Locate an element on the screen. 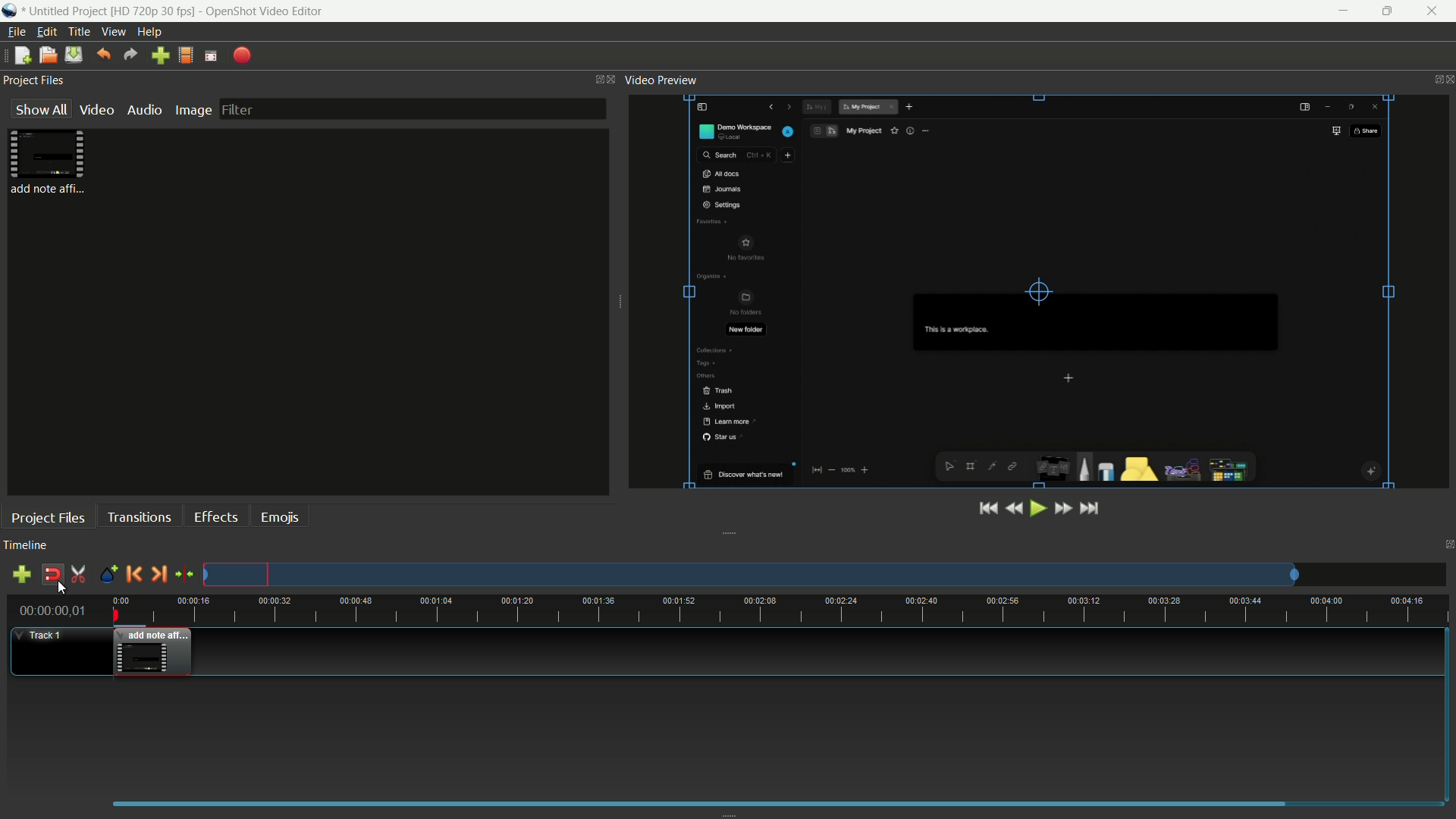 The image size is (1456, 819). track1 is located at coordinates (42, 635).